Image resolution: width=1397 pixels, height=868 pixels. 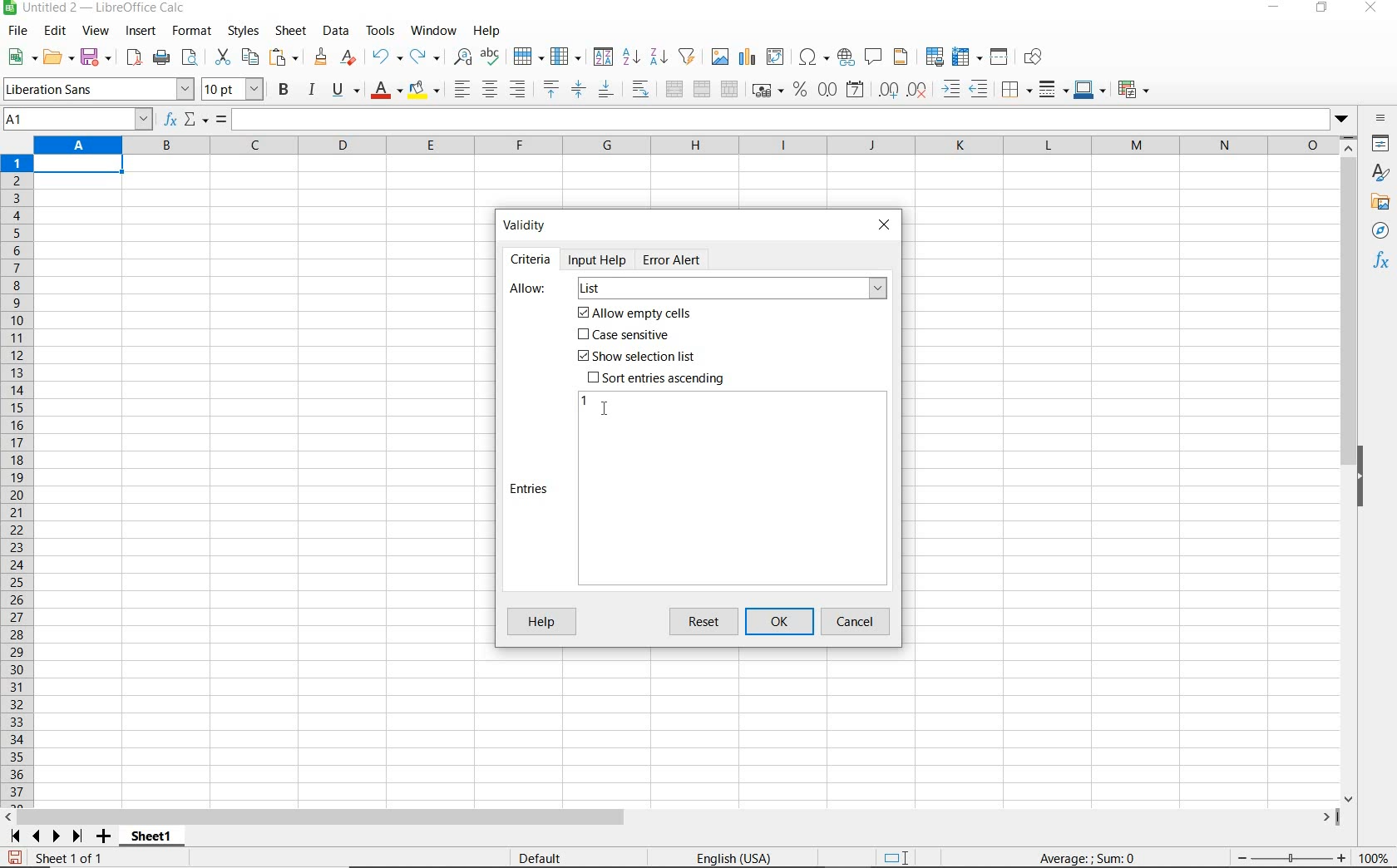 What do you see at coordinates (1375, 857) in the screenshot?
I see `zoom factor` at bounding box center [1375, 857].